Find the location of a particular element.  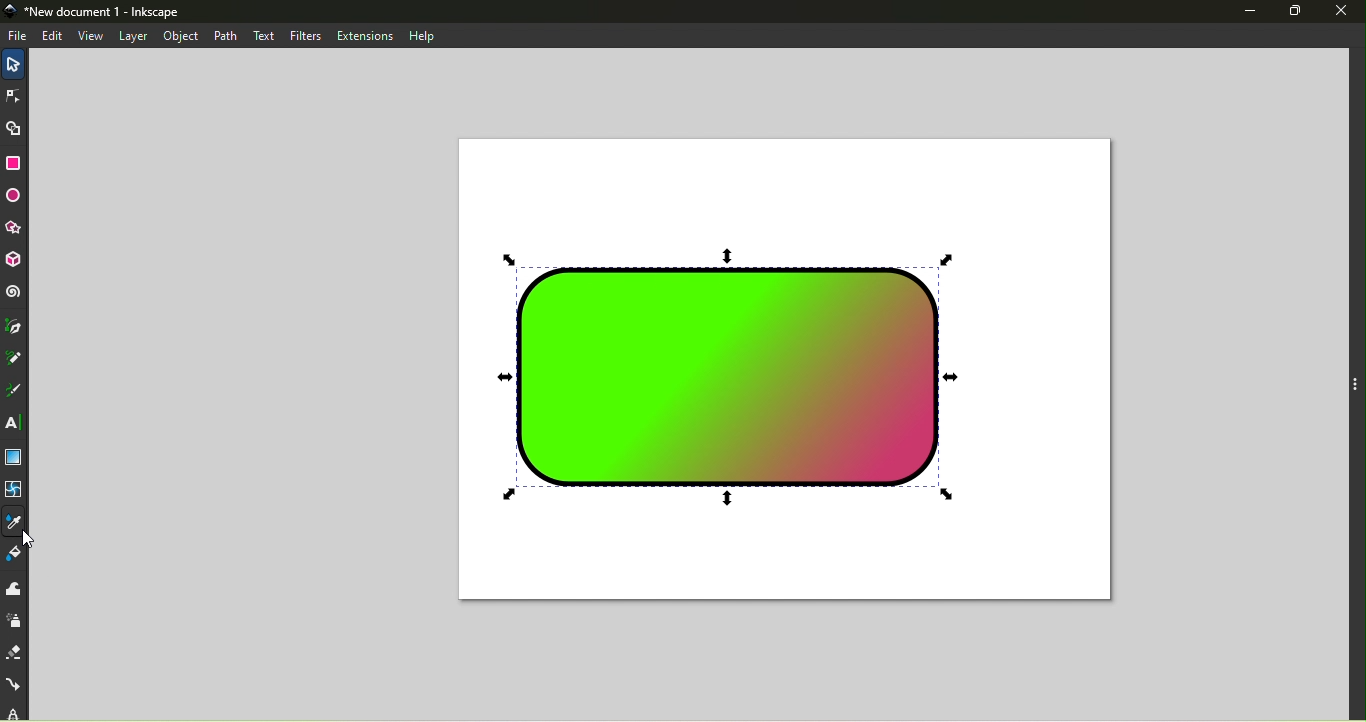

New document 1 - Inkscape is located at coordinates (111, 12).